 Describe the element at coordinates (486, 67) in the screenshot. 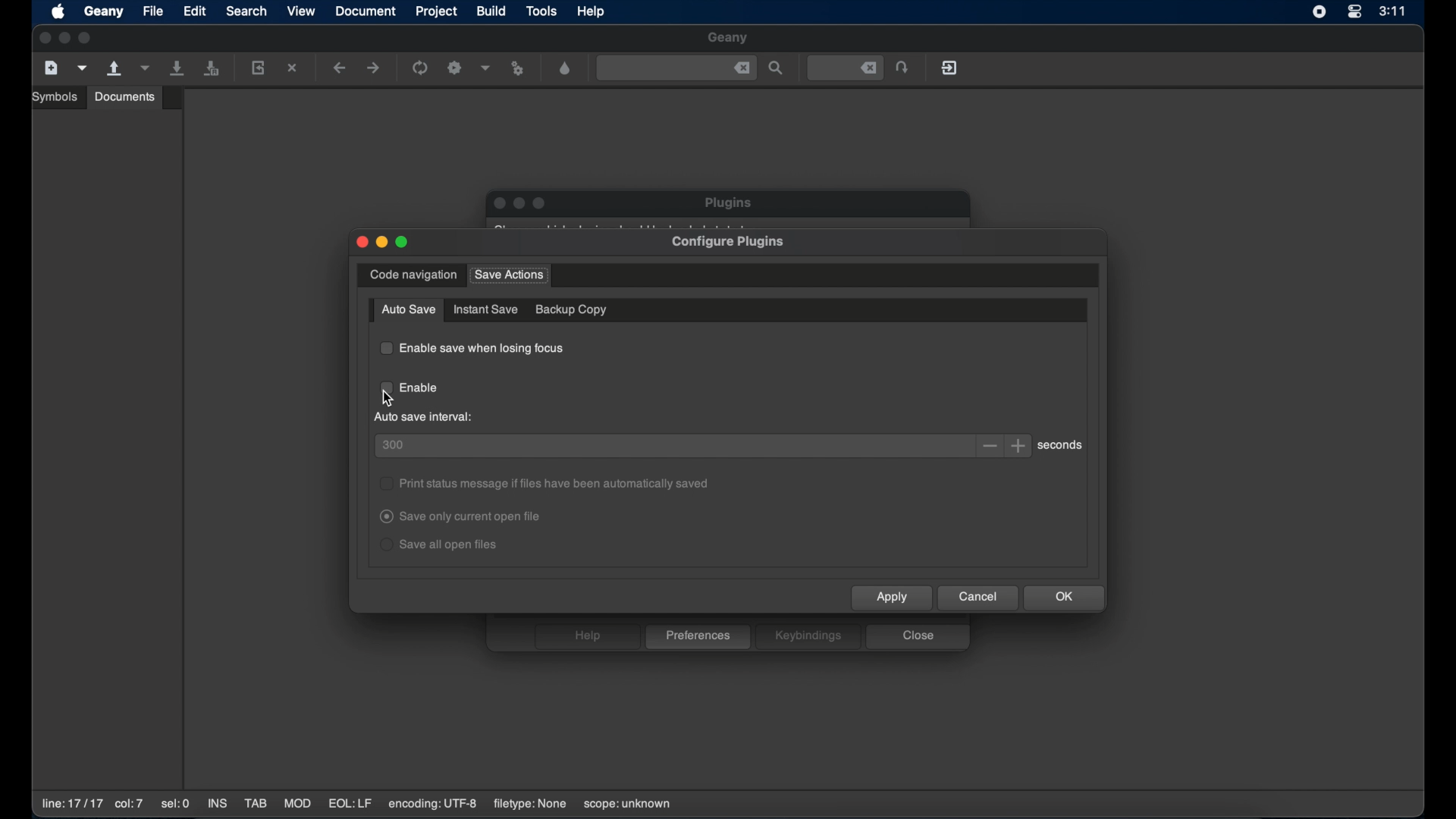

I see `choose more build options` at that location.